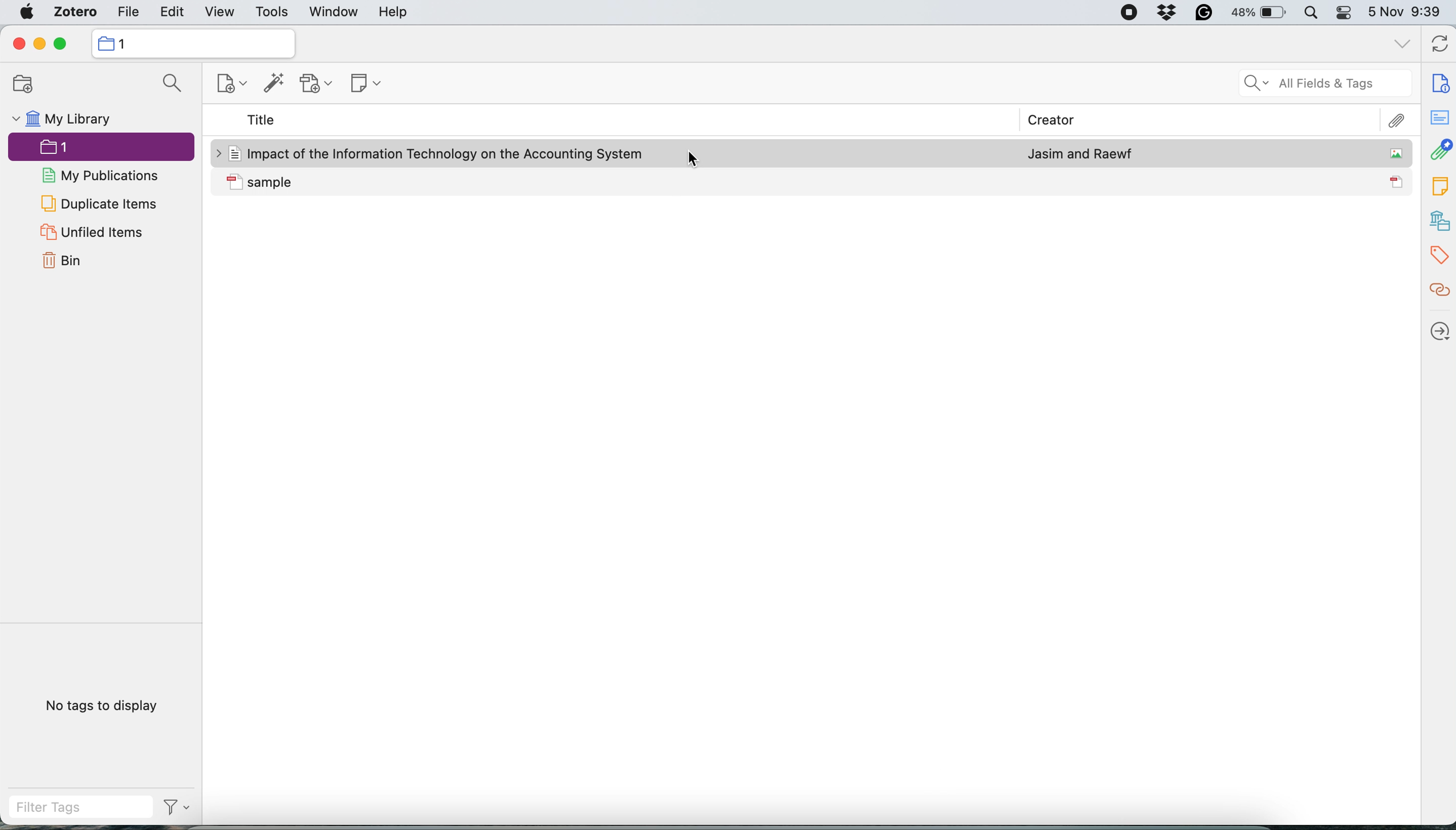 The height and width of the screenshot is (830, 1456). I want to click on 5 Nov 9:39, so click(1406, 11).